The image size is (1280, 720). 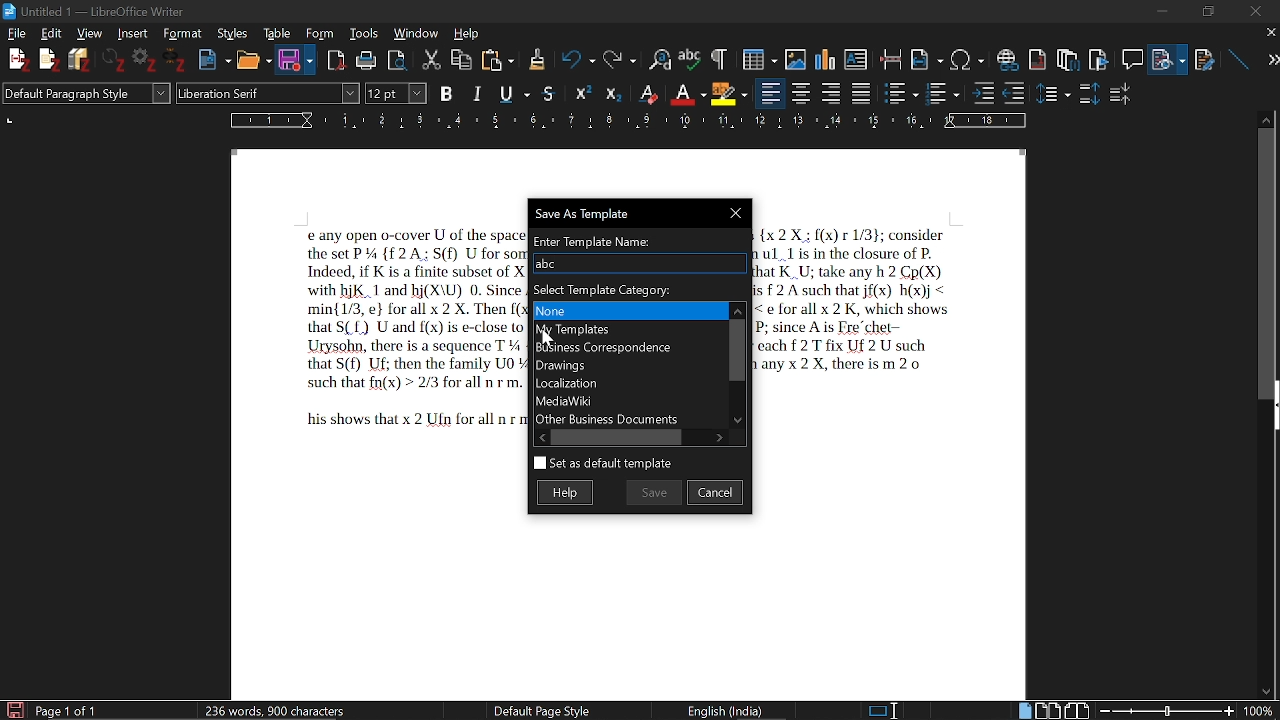 I want to click on Page 1 of 1, so click(x=69, y=710).